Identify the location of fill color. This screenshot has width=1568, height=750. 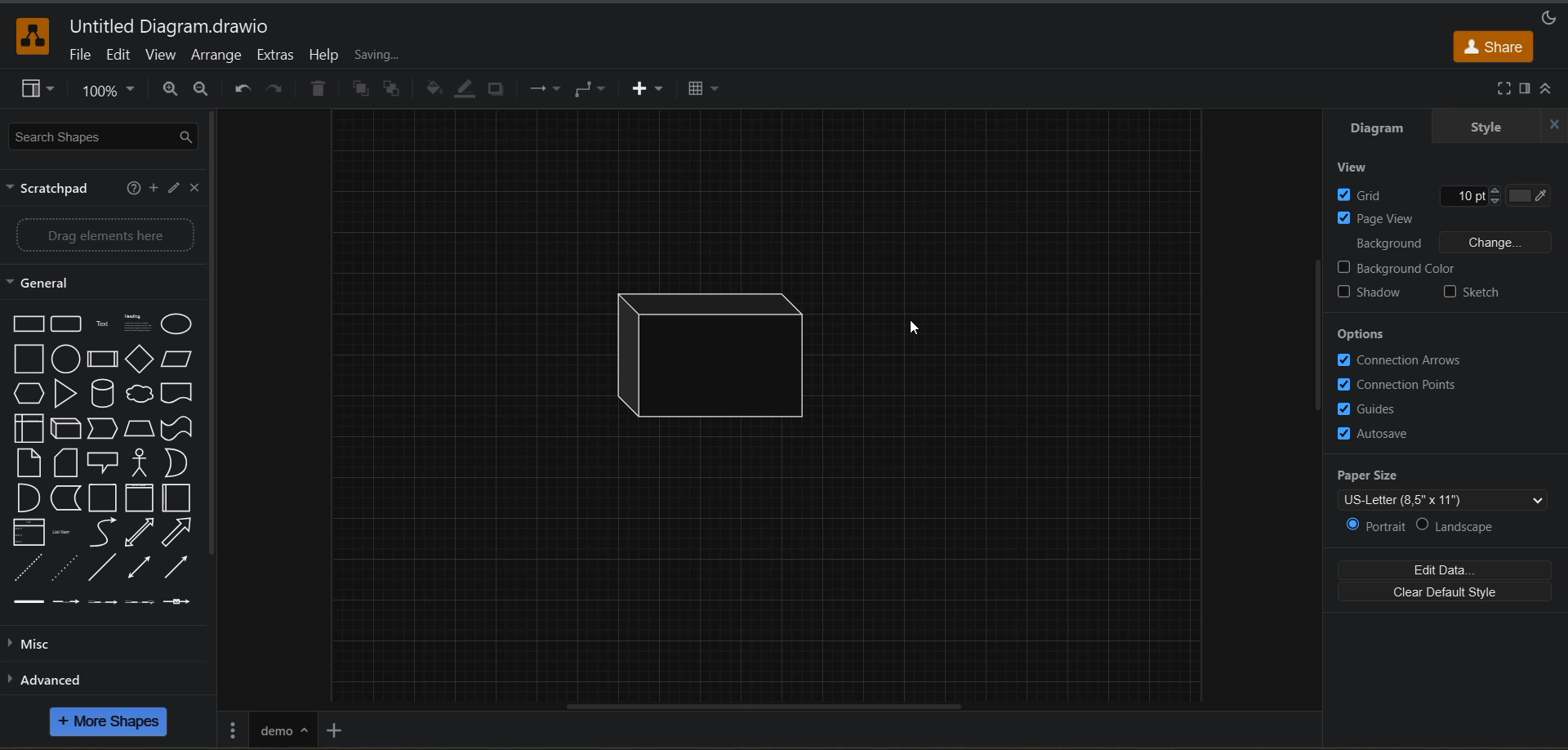
(436, 89).